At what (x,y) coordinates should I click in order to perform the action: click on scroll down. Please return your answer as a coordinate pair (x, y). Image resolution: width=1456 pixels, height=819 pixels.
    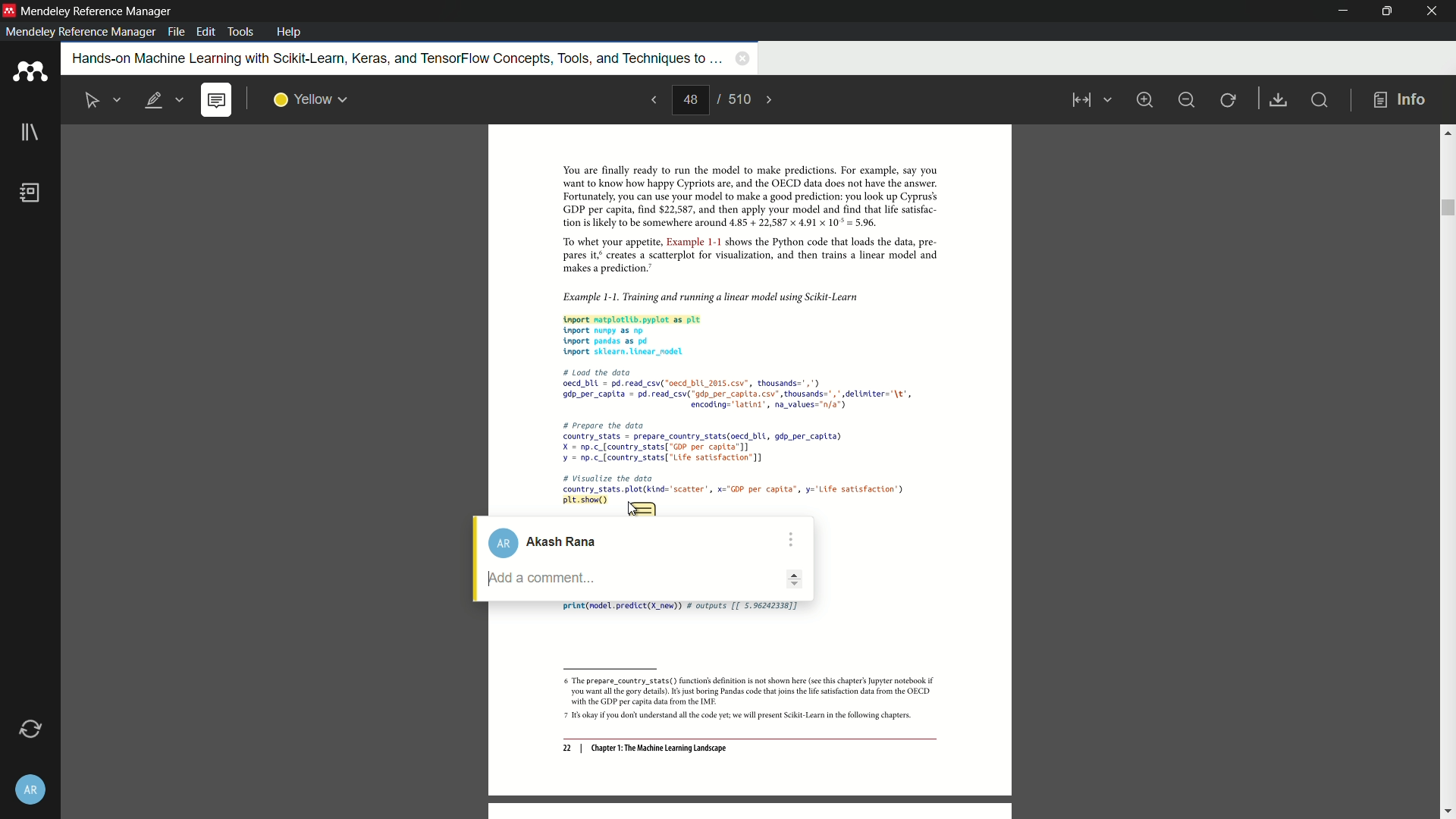
    Looking at the image, I should click on (1447, 812).